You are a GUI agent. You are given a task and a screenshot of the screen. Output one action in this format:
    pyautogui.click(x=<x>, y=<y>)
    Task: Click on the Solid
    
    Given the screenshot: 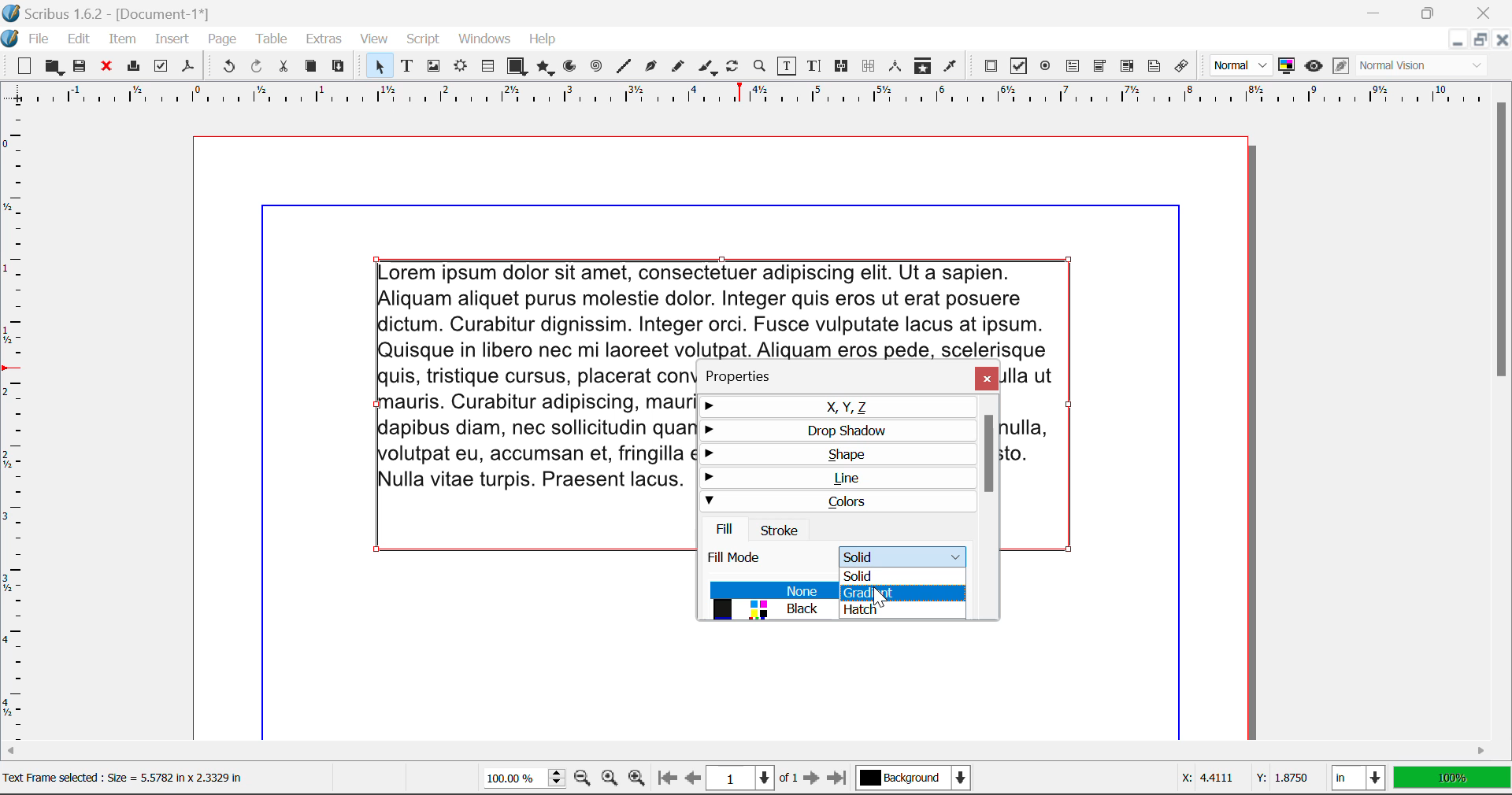 What is the action you would take?
    pyautogui.click(x=899, y=575)
    